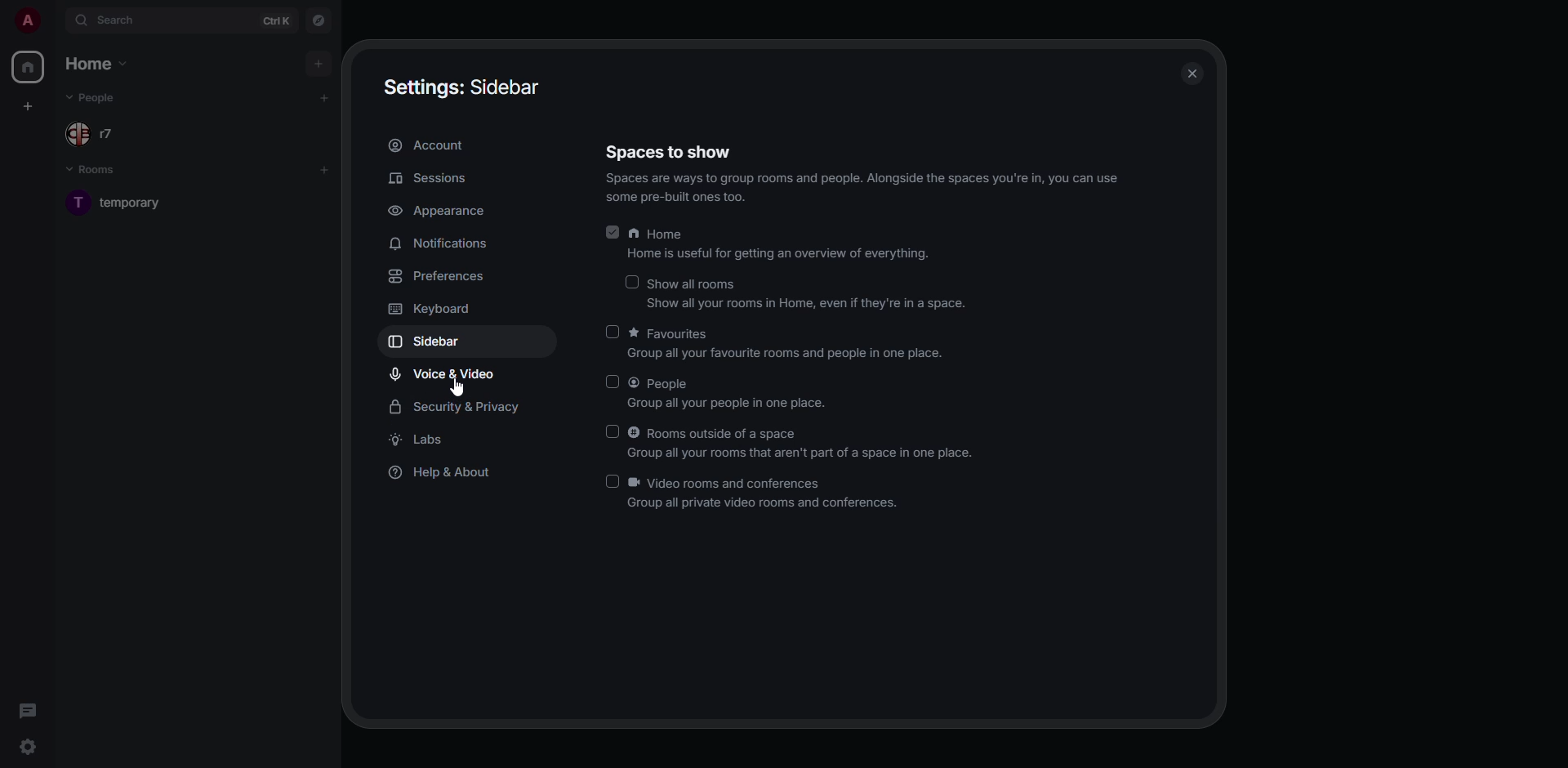 This screenshot has width=1568, height=768. I want to click on quick settings, so click(31, 744).